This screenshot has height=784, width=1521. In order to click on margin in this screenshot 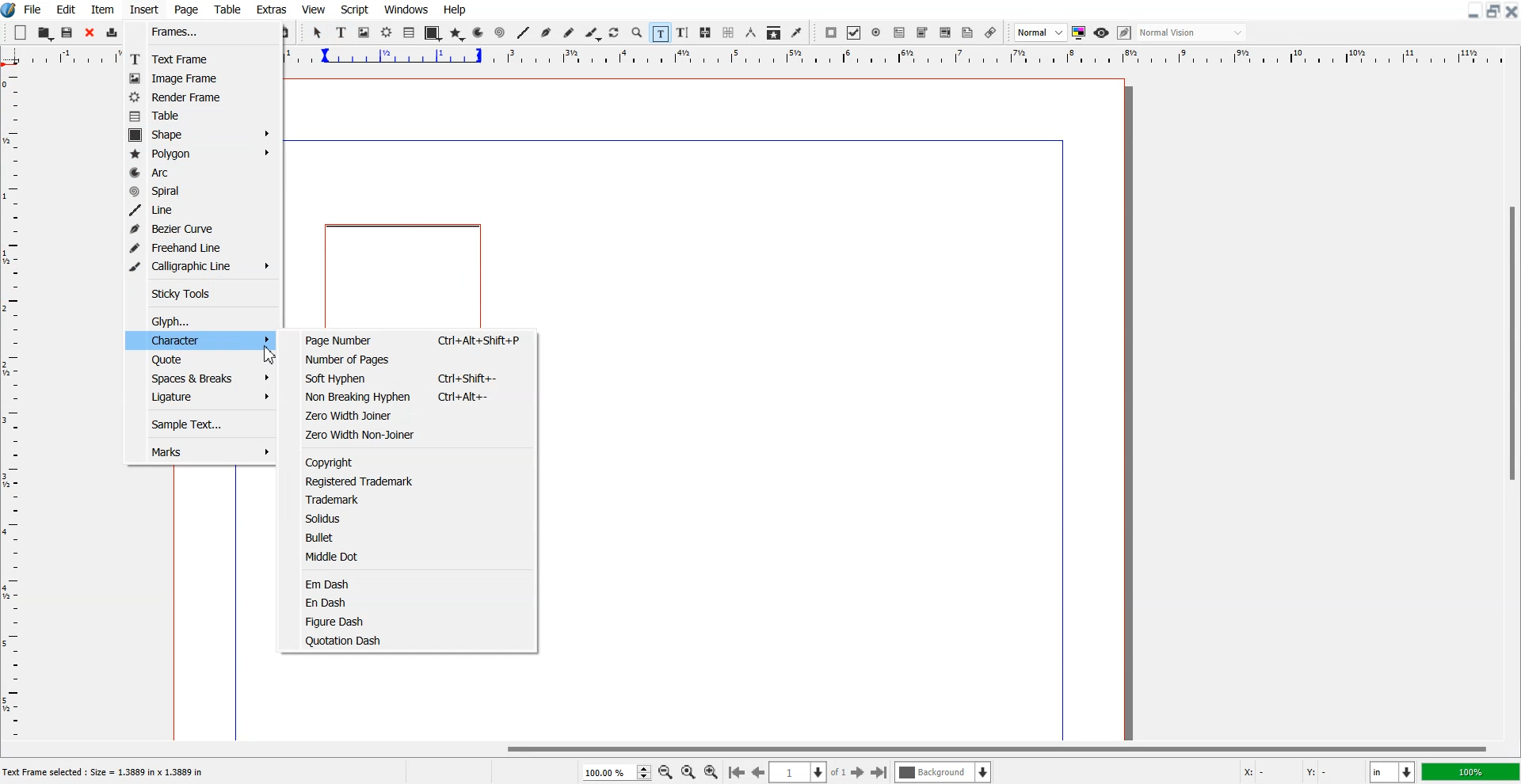, I will do `click(1065, 437)`.